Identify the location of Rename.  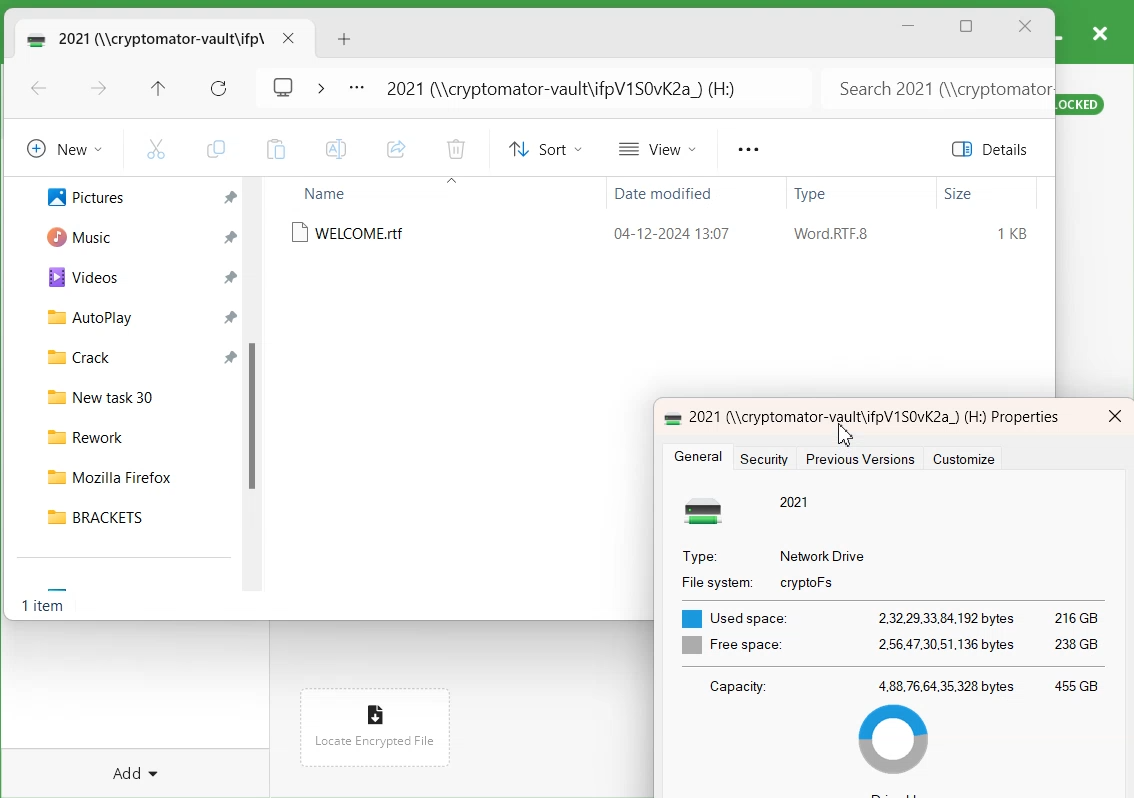
(337, 149).